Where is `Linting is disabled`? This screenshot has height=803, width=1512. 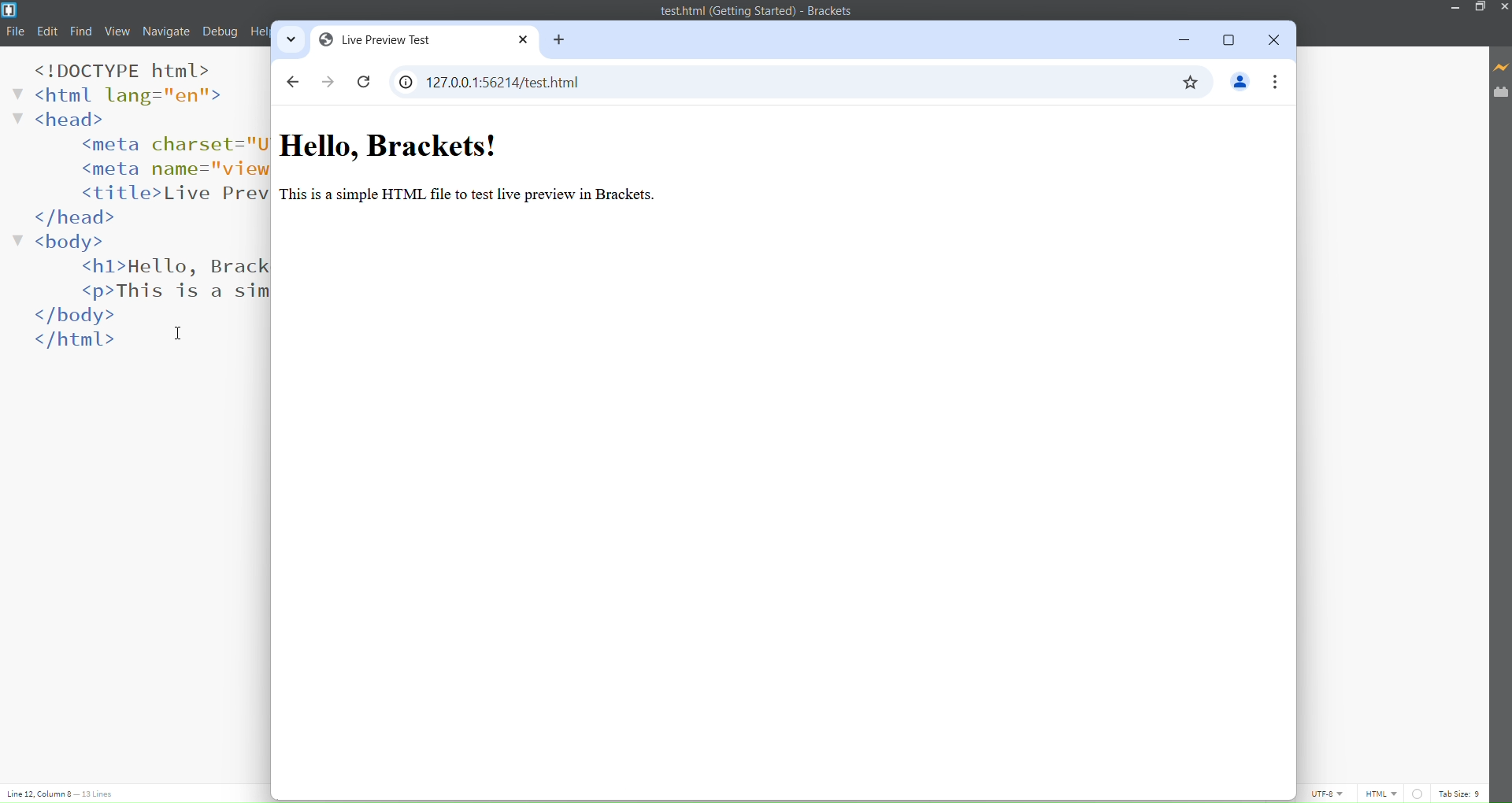 Linting is disabled is located at coordinates (1417, 793).